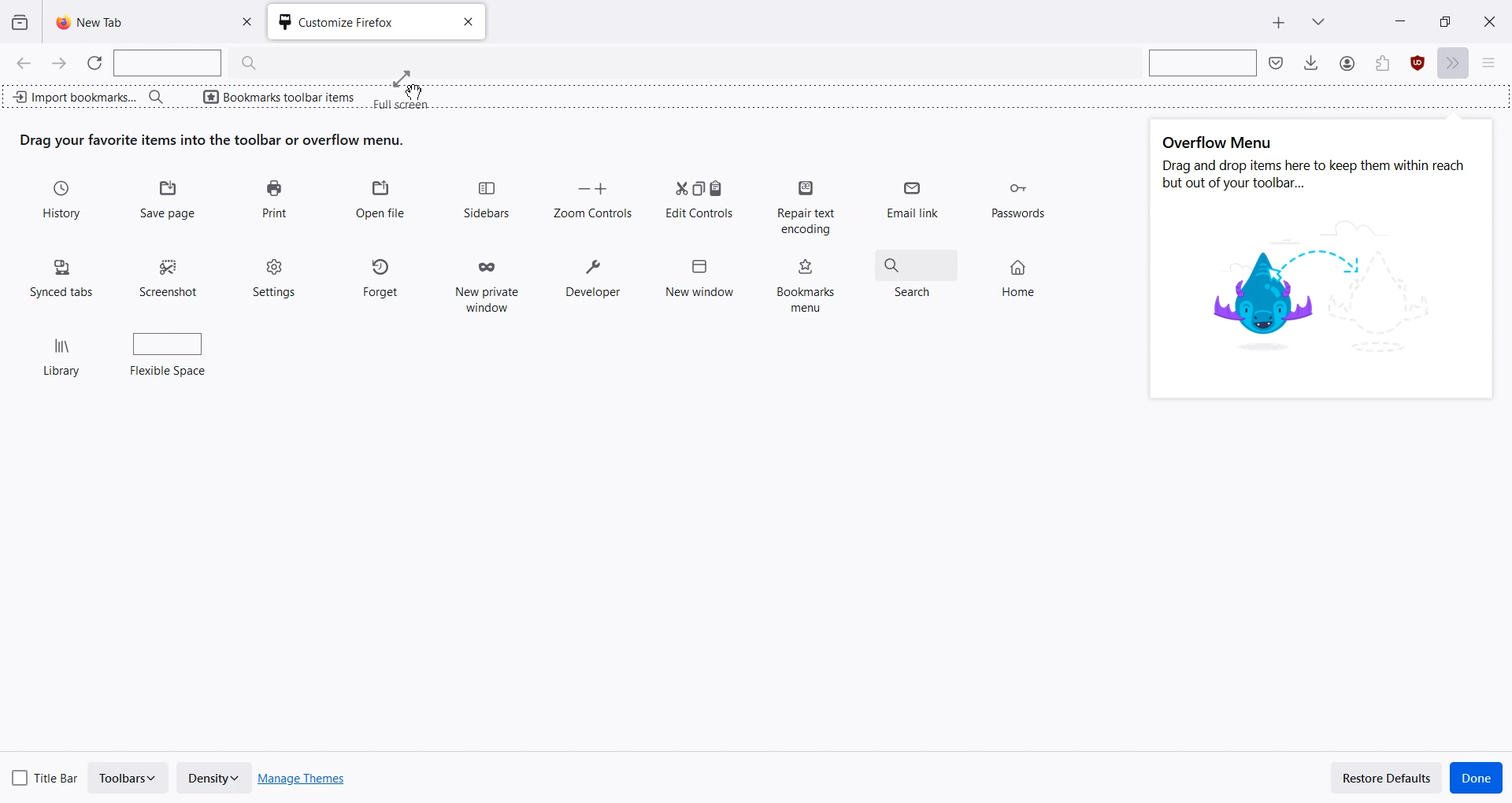 Image resolution: width=1512 pixels, height=803 pixels. Describe the element at coordinates (302, 779) in the screenshot. I see `Manage Themes` at that location.